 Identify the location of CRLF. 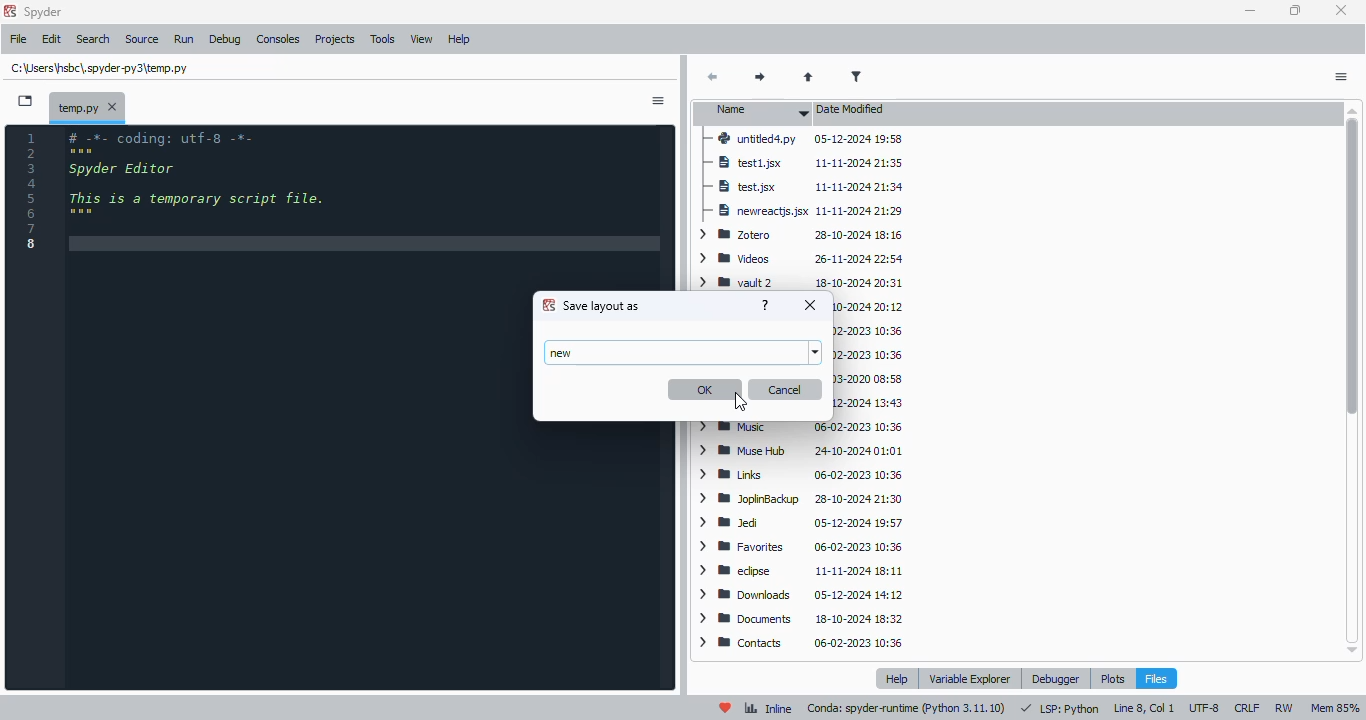
(1246, 707).